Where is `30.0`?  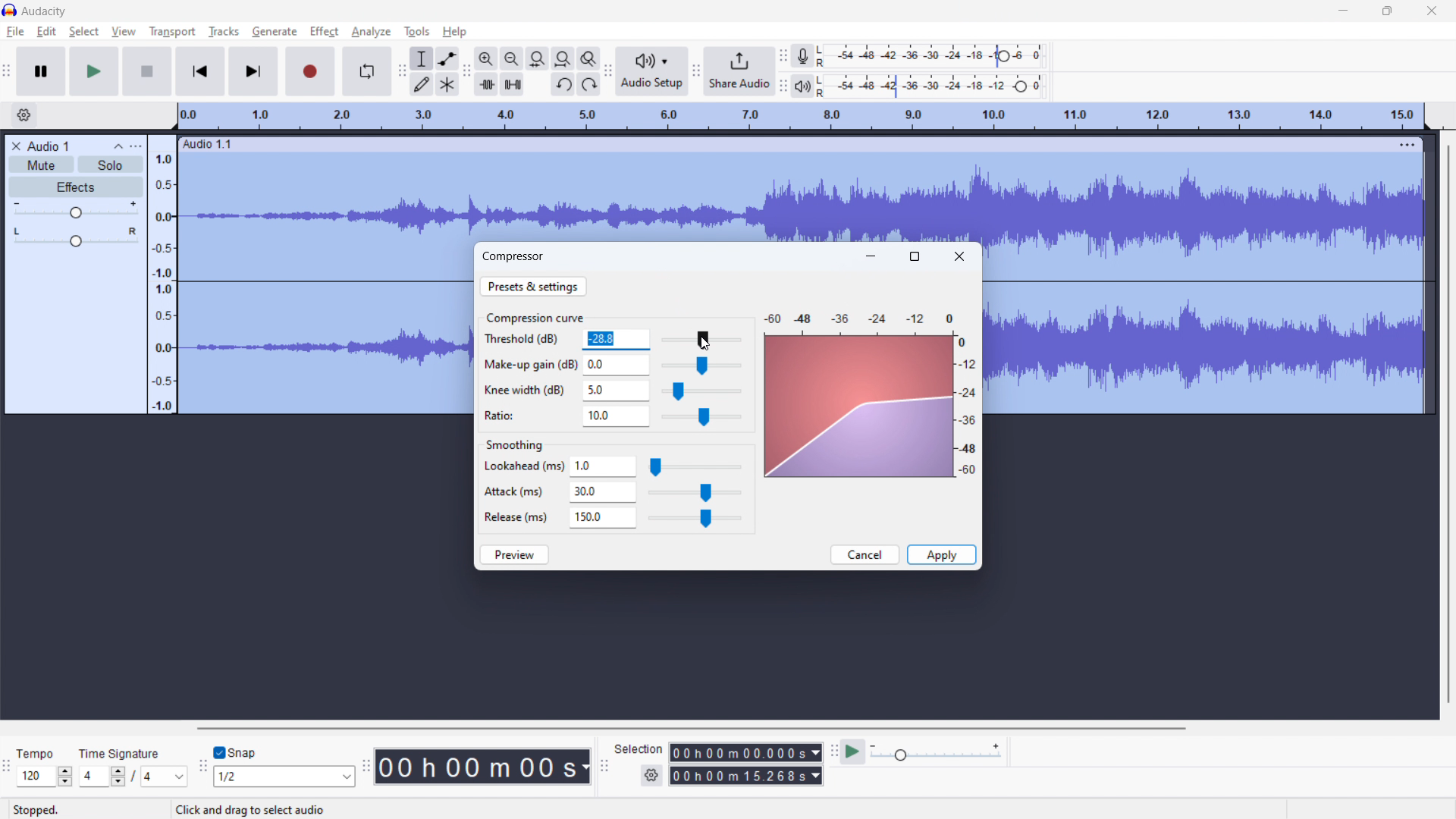
30.0 is located at coordinates (603, 493).